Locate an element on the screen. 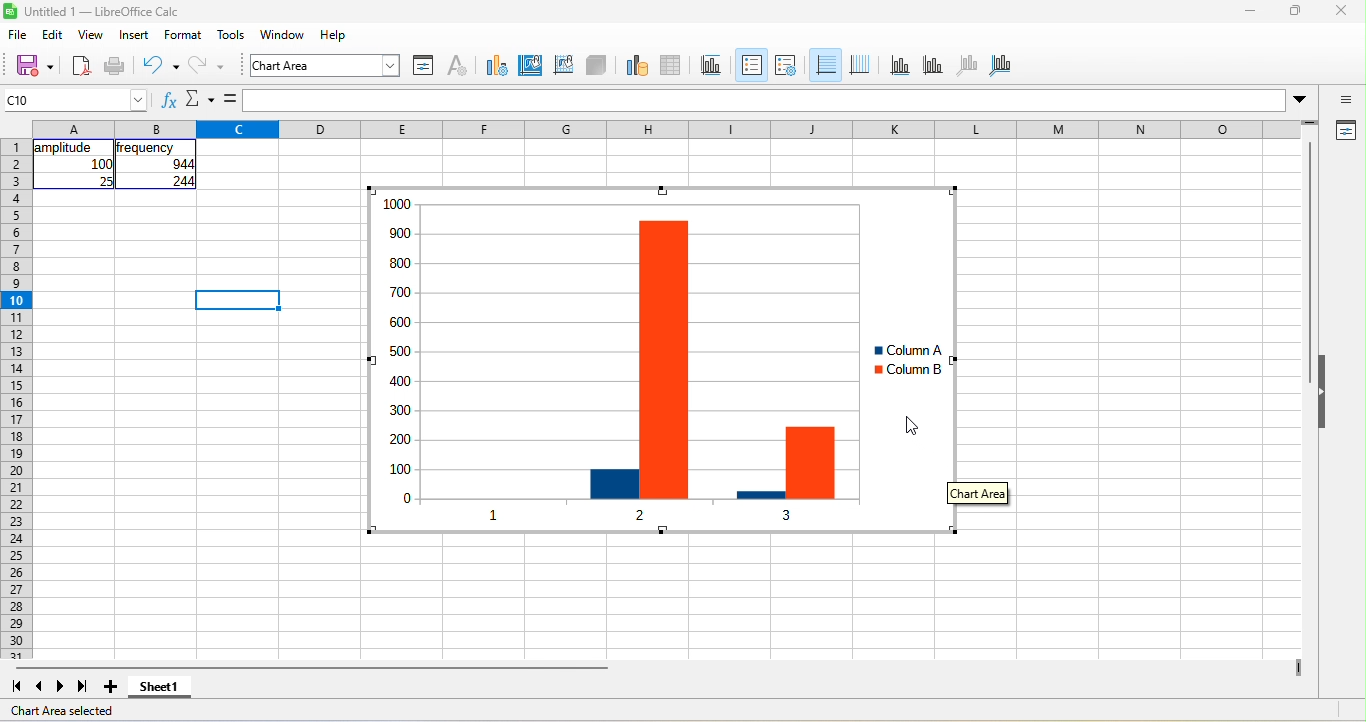 This screenshot has width=1366, height=722. save is located at coordinates (34, 67).